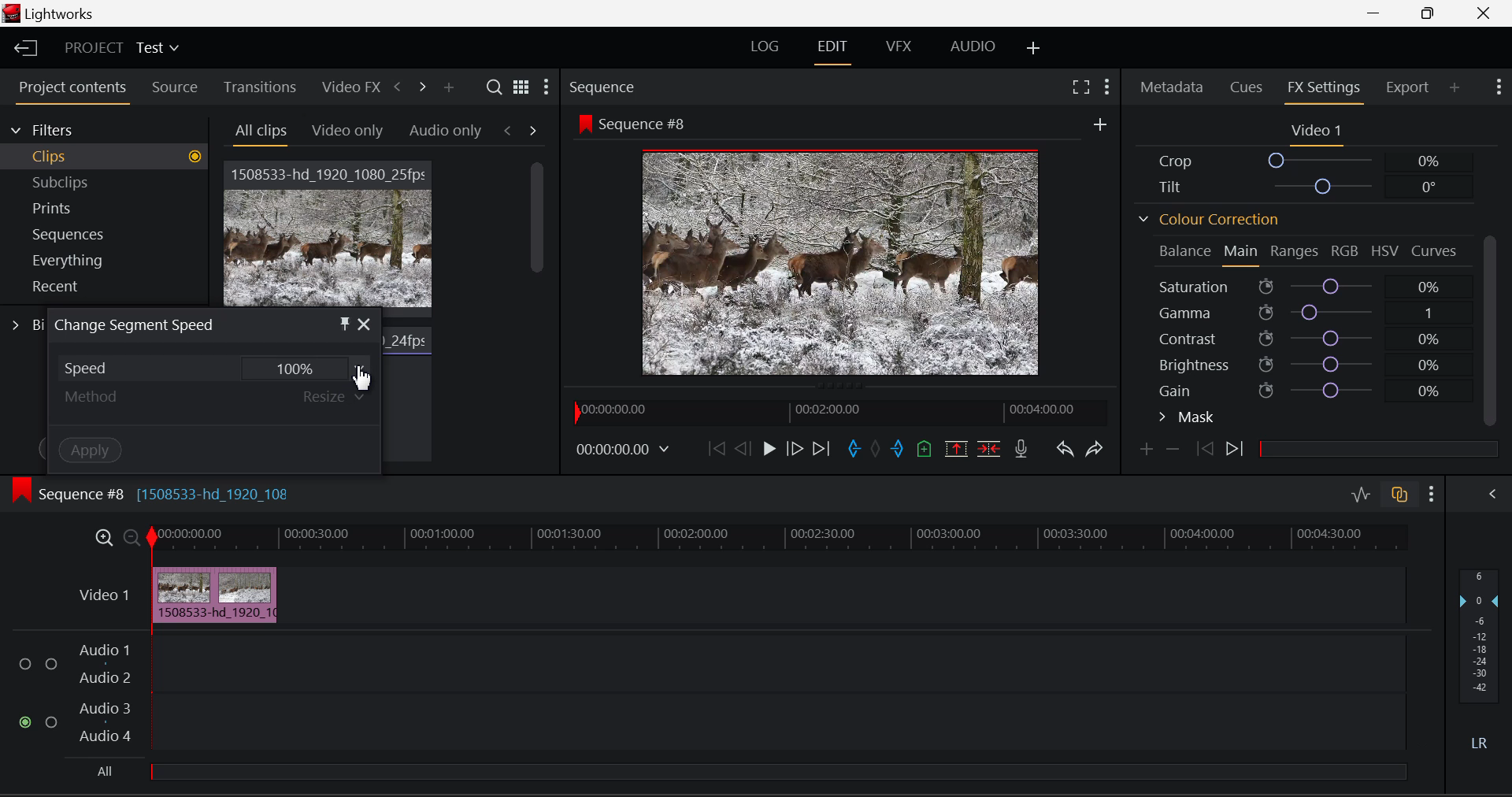 The width and height of the screenshot is (1512, 797). Describe the element at coordinates (410, 87) in the screenshot. I see `Move Across Tabs` at that location.